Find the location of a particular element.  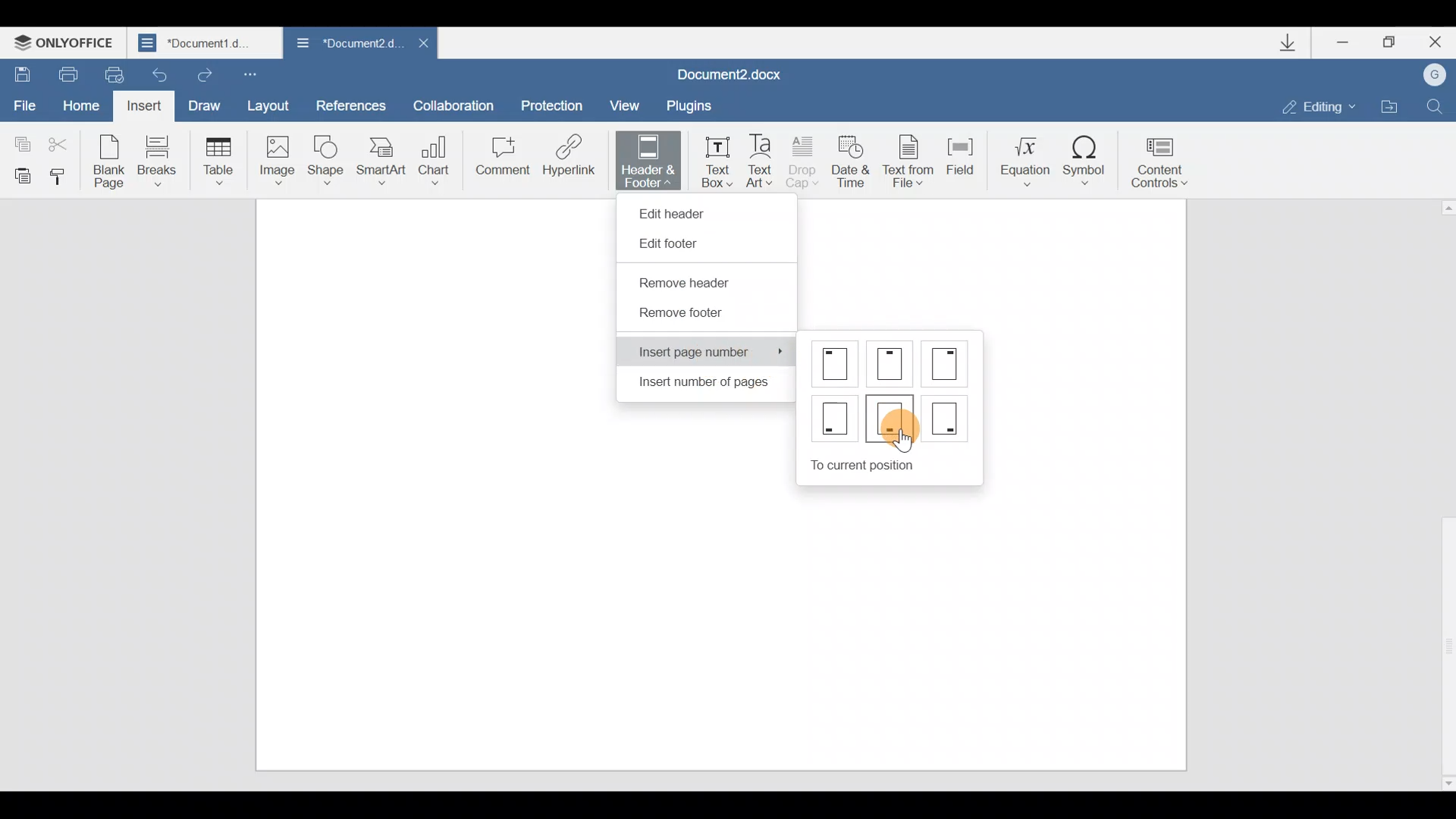

Close is located at coordinates (1435, 42).